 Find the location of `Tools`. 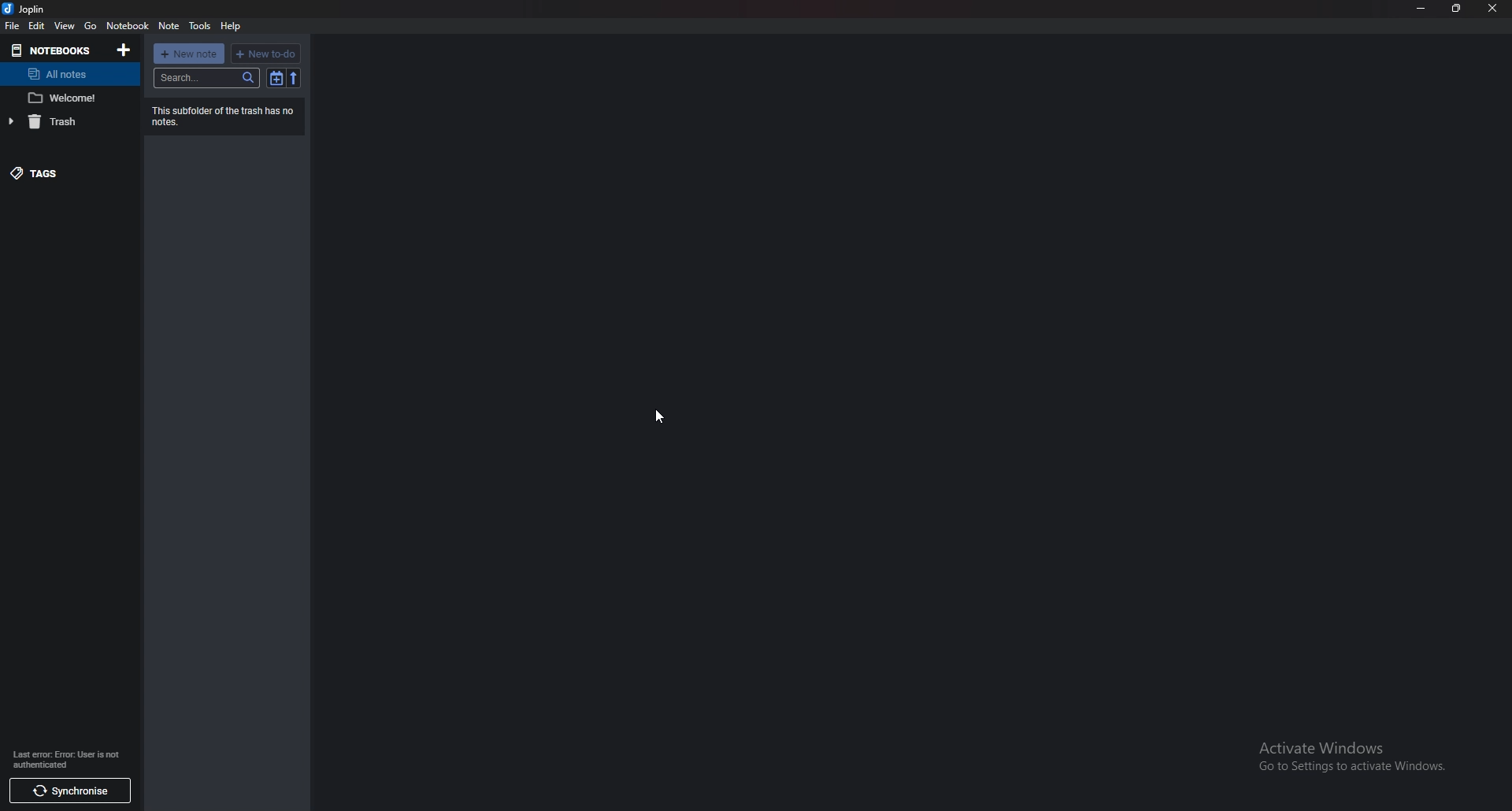

Tools is located at coordinates (200, 26).